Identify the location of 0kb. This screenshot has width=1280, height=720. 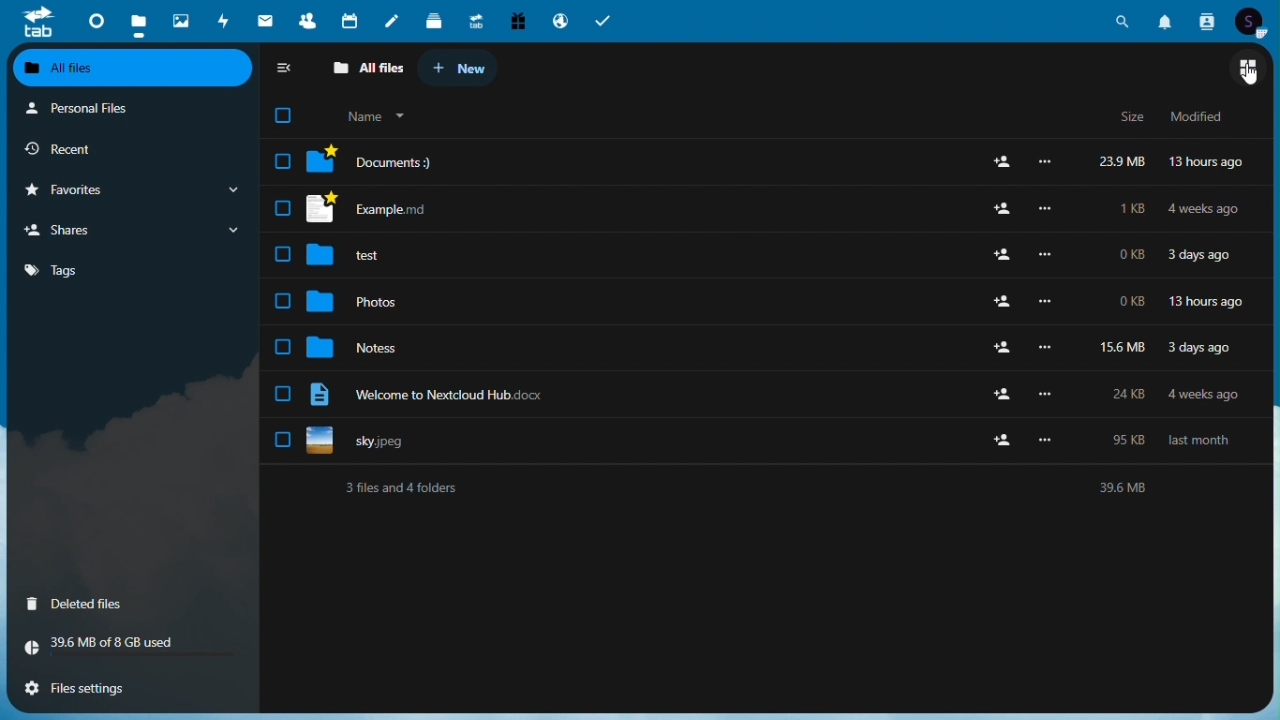
(1130, 301).